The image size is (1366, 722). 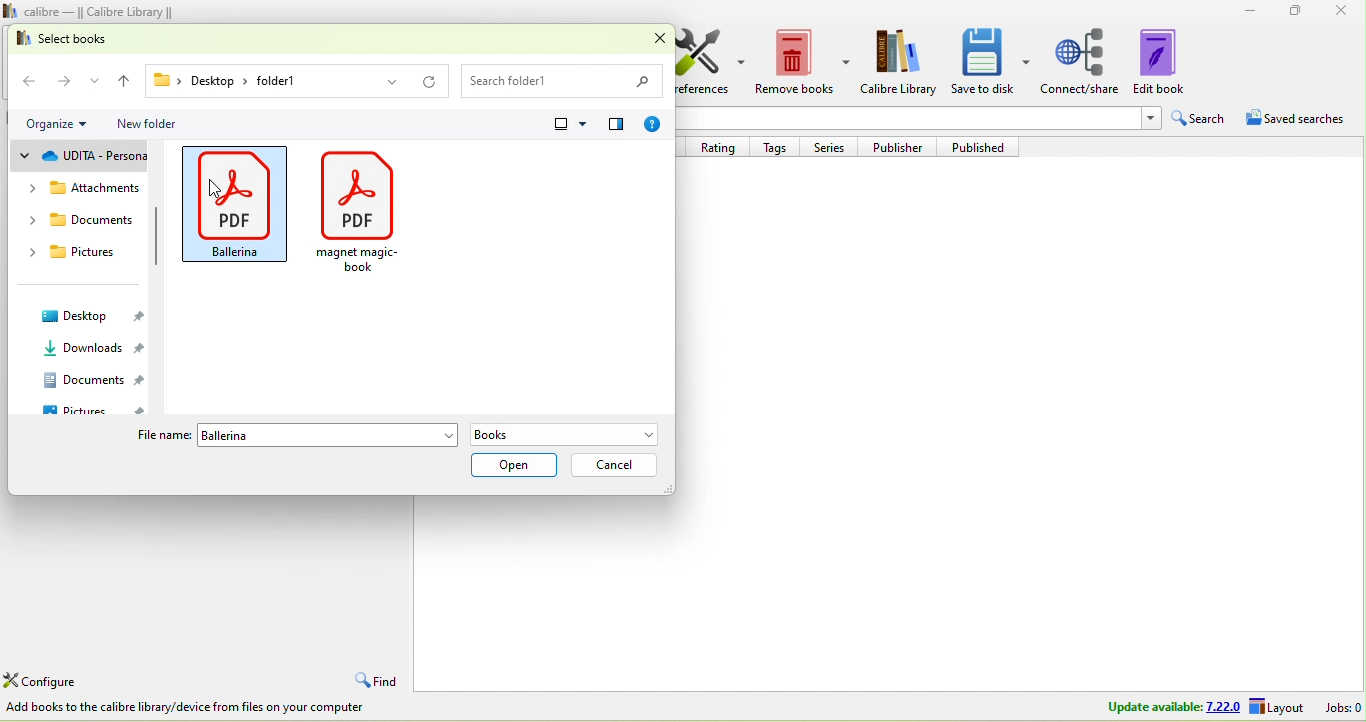 I want to click on close, so click(x=651, y=39).